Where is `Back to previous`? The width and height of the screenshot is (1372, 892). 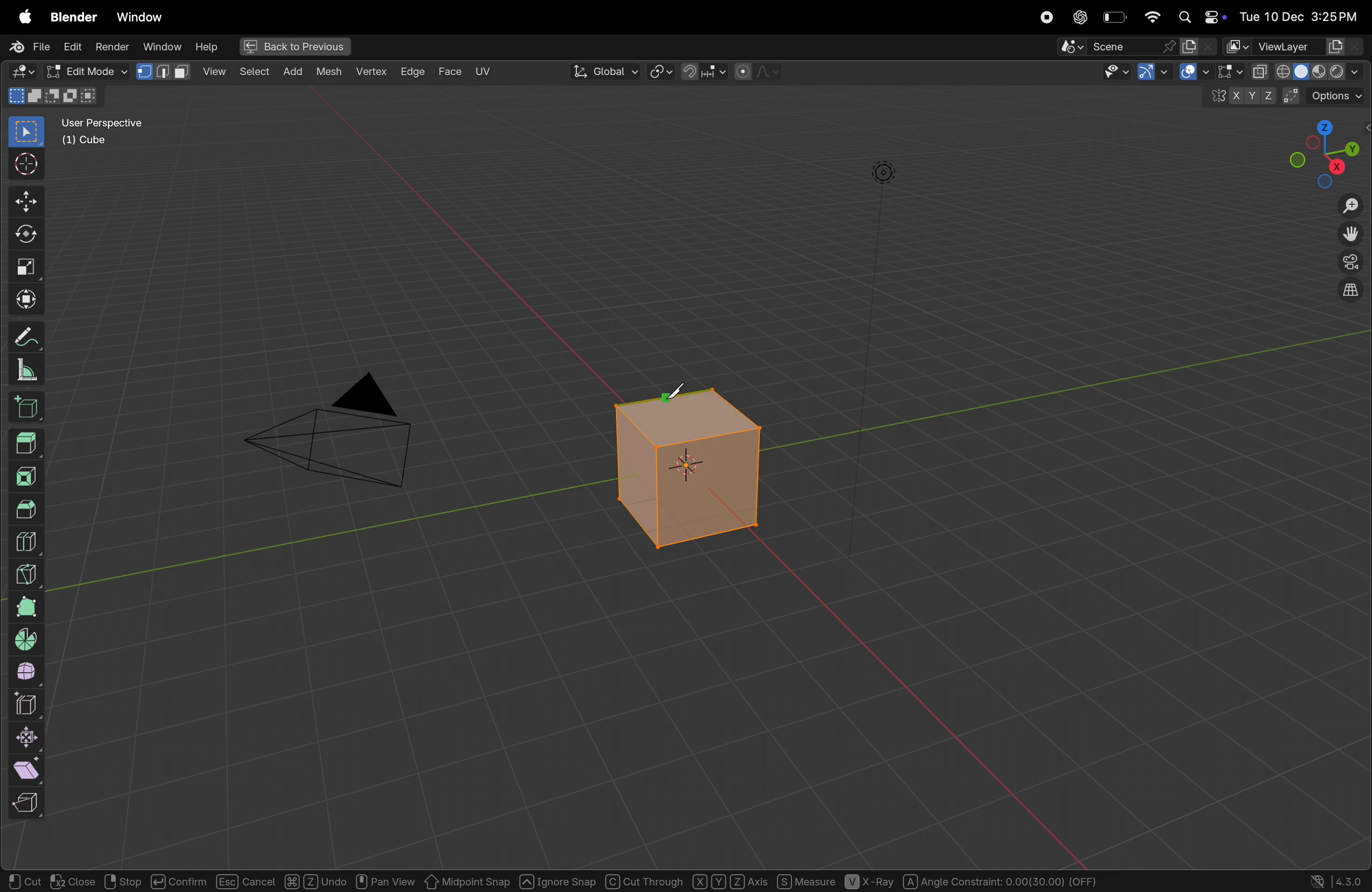 Back to previous is located at coordinates (291, 47).